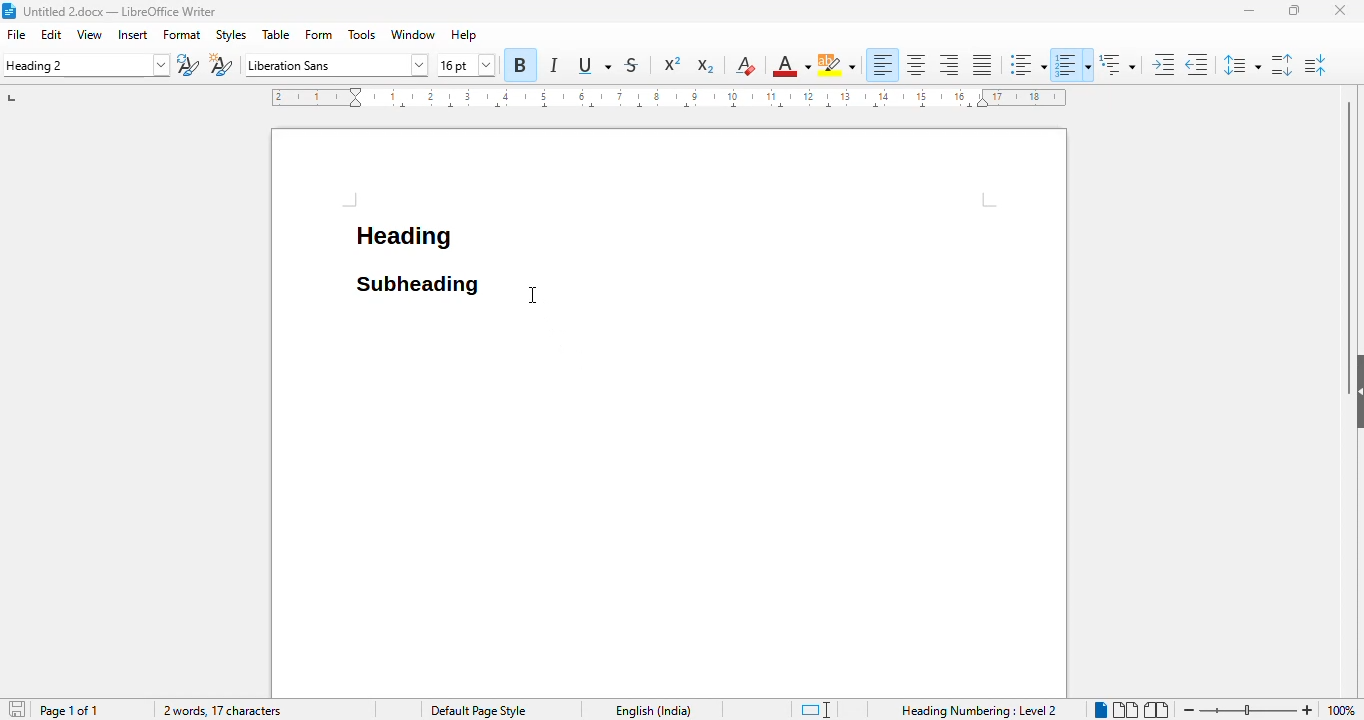 The height and width of the screenshot is (720, 1364). Describe the element at coordinates (1251, 11) in the screenshot. I see `minimize` at that location.